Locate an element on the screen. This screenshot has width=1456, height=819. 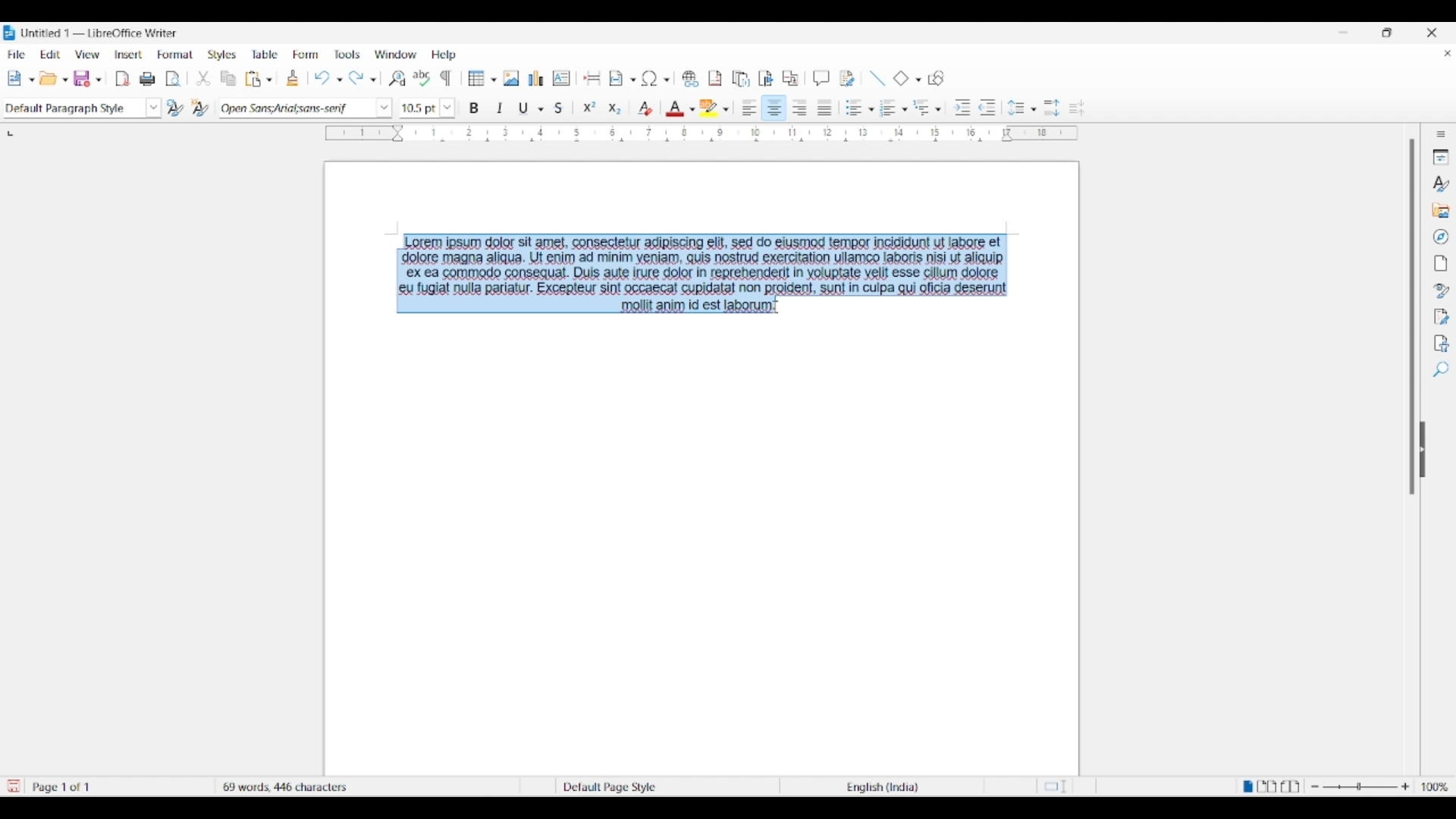
Selected color for highlighting color is located at coordinates (709, 107).